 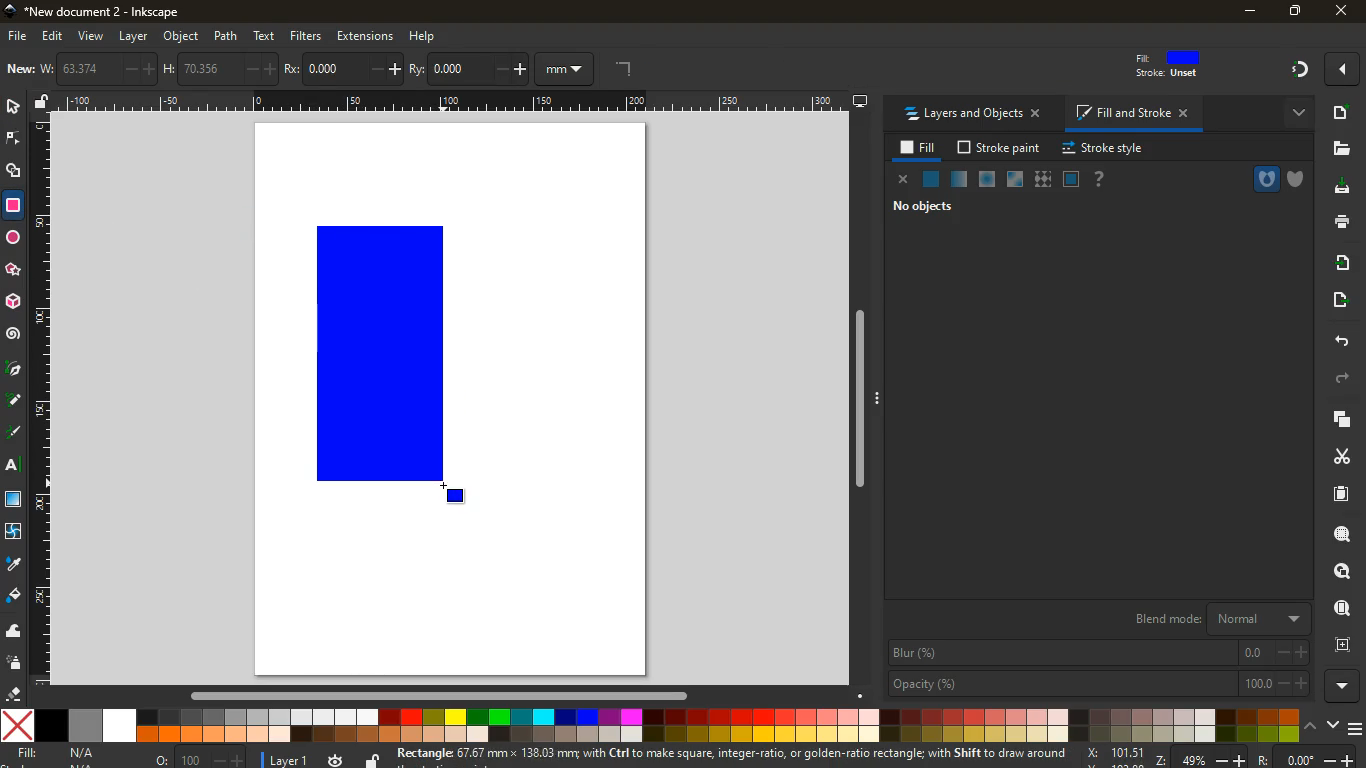 I want to click on hole, so click(x=1265, y=178).